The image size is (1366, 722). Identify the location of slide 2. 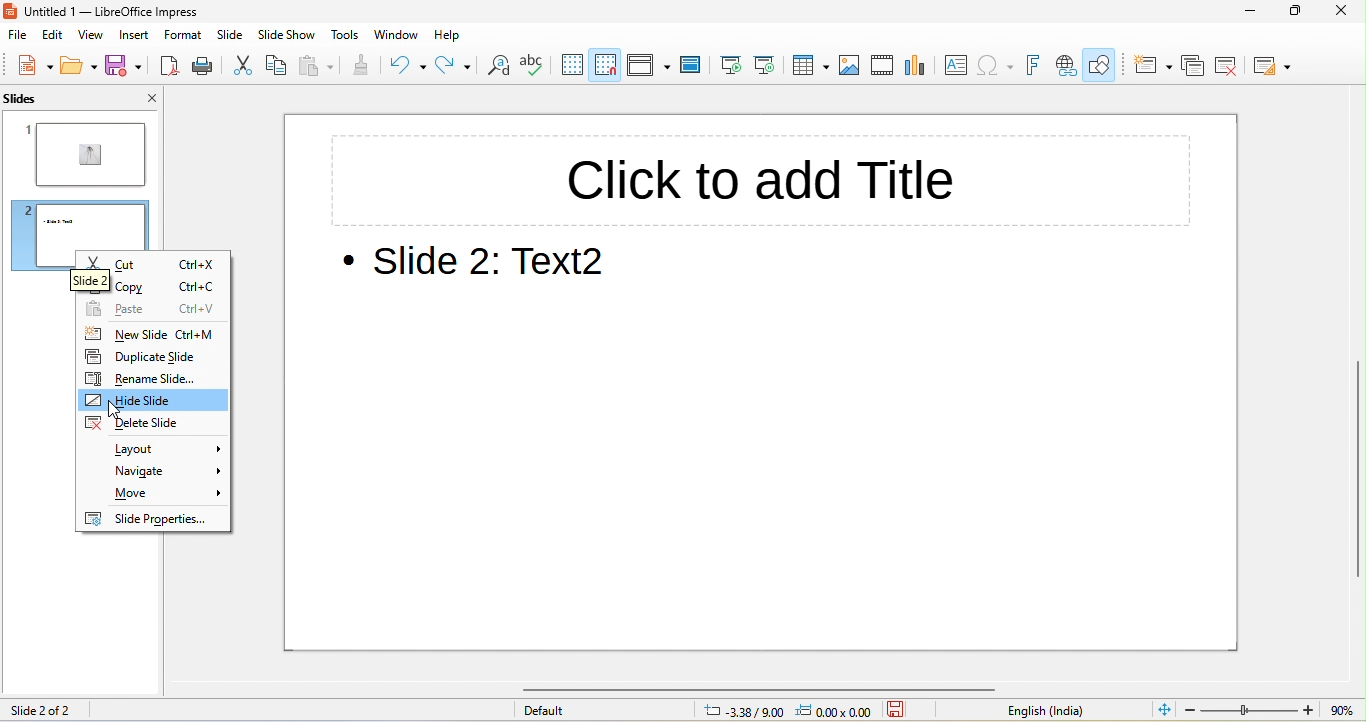
(69, 279).